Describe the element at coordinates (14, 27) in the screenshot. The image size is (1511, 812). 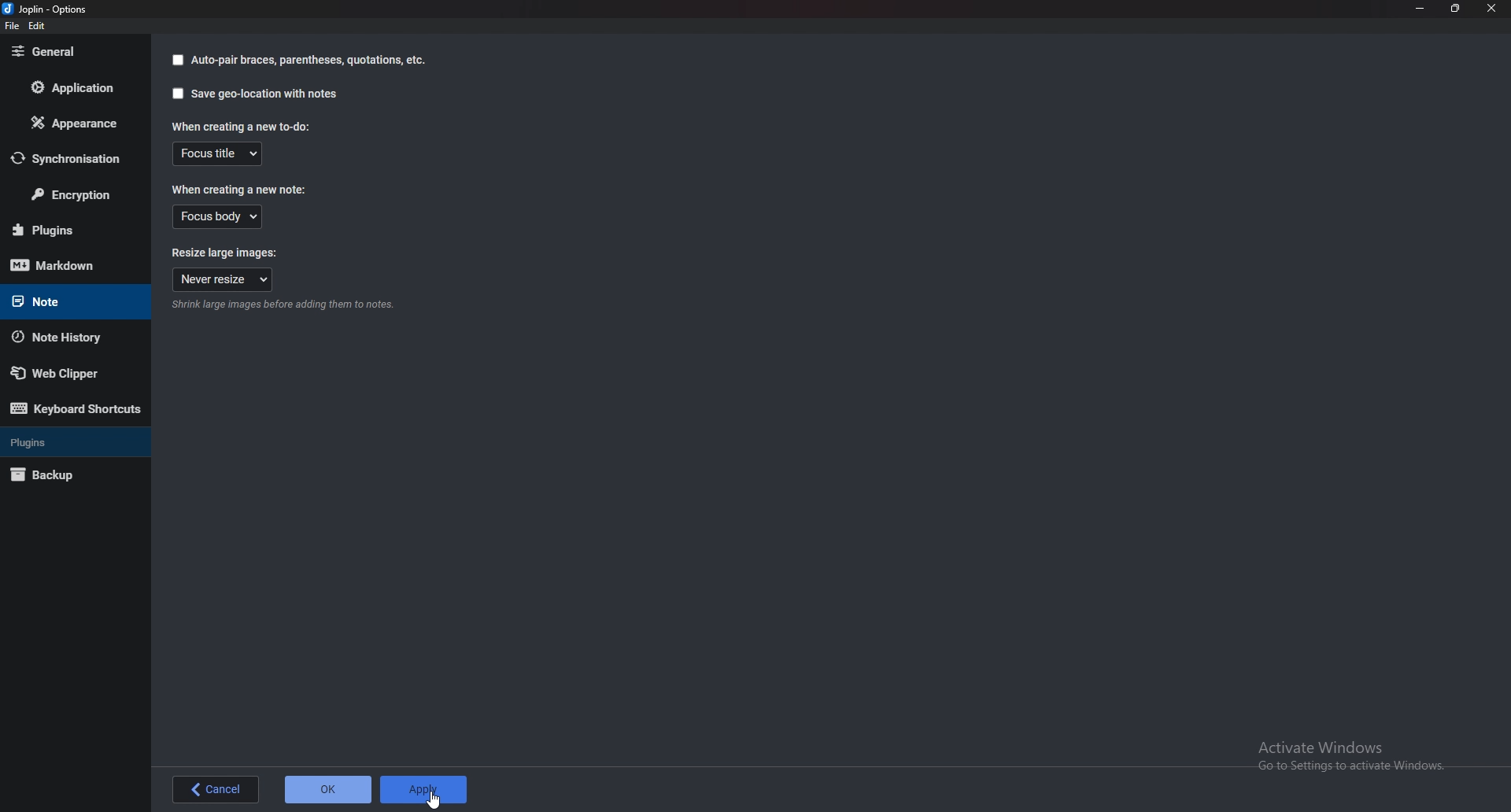
I see `File` at that location.